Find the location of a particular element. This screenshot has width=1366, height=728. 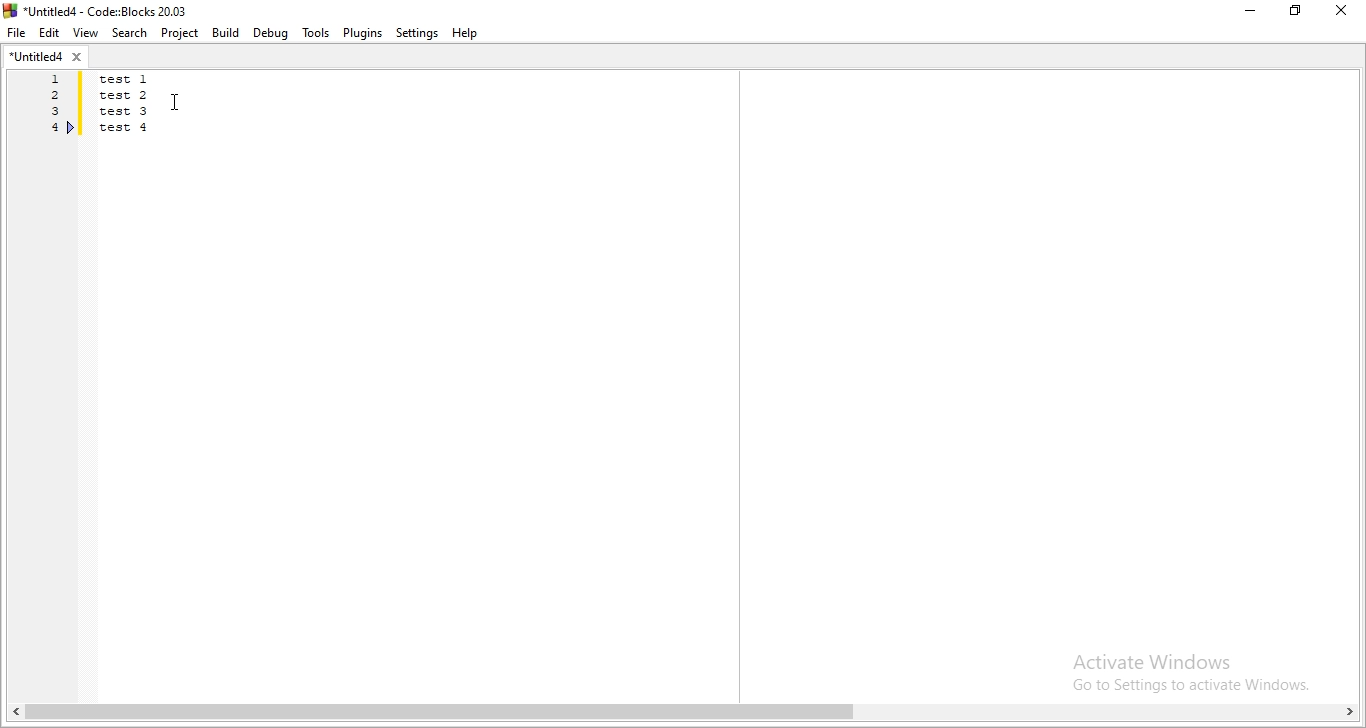

 test 2 is located at coordinates (128, 96).